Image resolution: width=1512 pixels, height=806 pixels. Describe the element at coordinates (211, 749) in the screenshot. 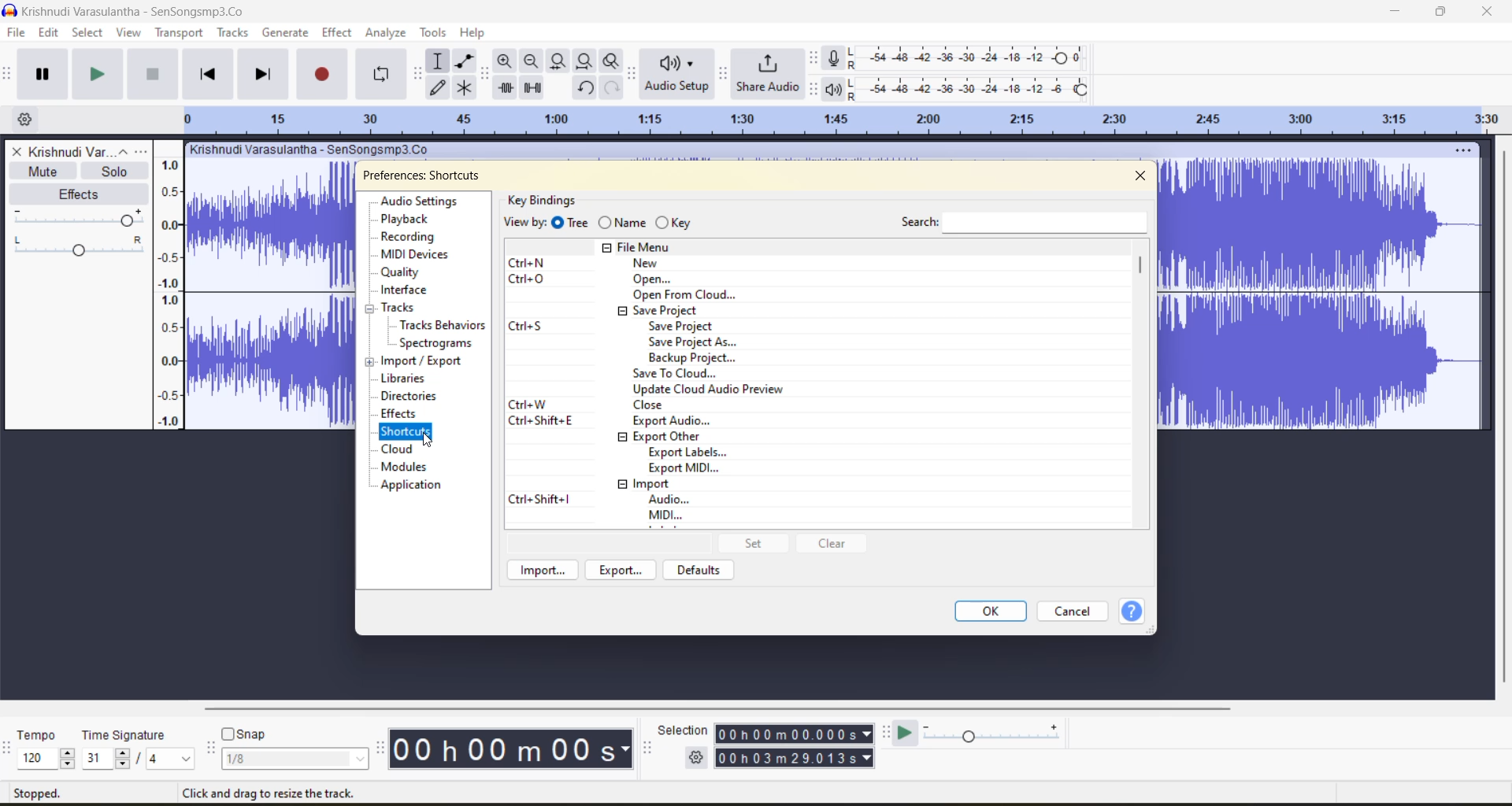

I see `snapping toolbar` at that location.